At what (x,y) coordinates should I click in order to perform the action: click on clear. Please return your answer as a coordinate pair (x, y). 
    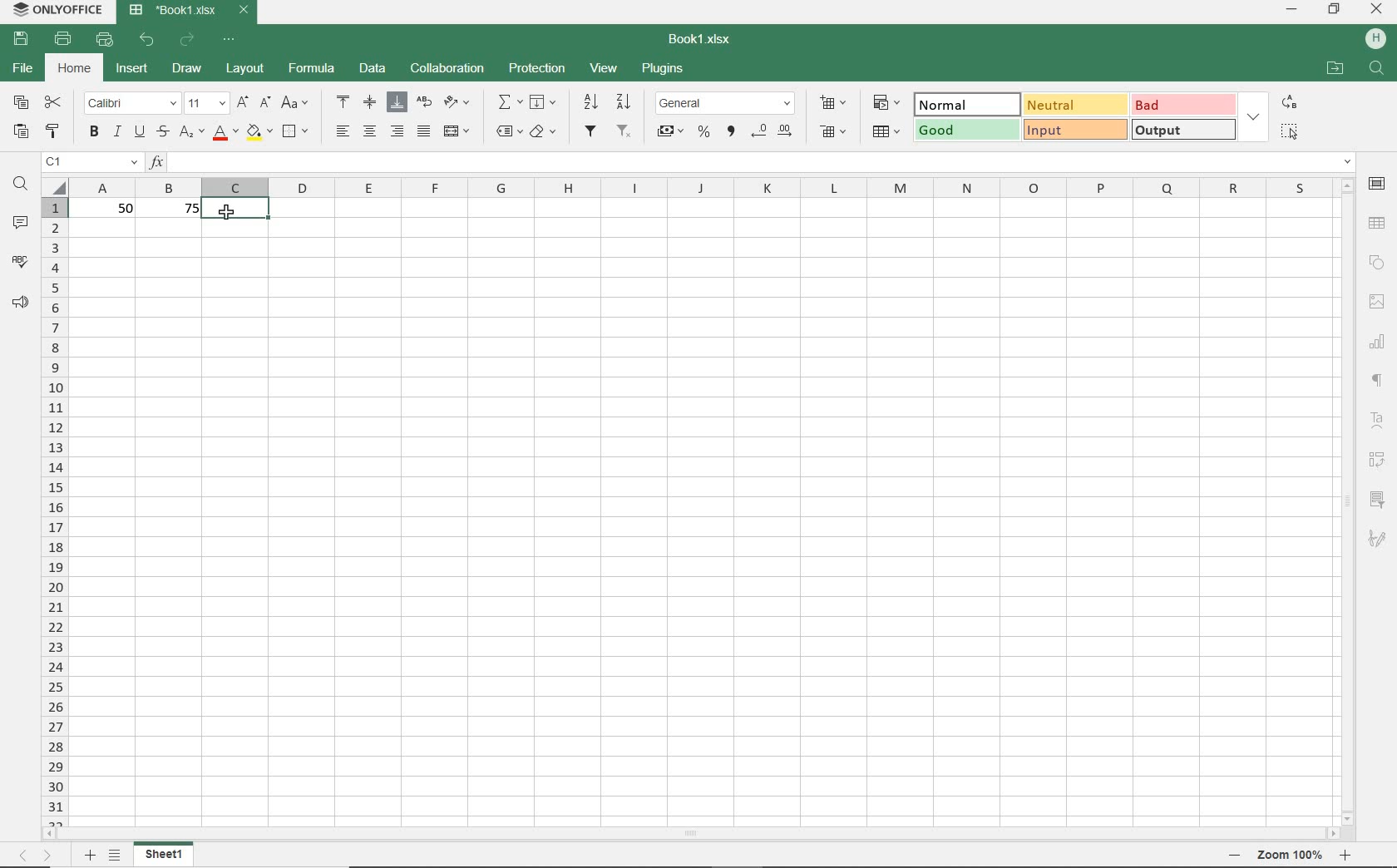
    Looking at the image, I should click on (544, 131).